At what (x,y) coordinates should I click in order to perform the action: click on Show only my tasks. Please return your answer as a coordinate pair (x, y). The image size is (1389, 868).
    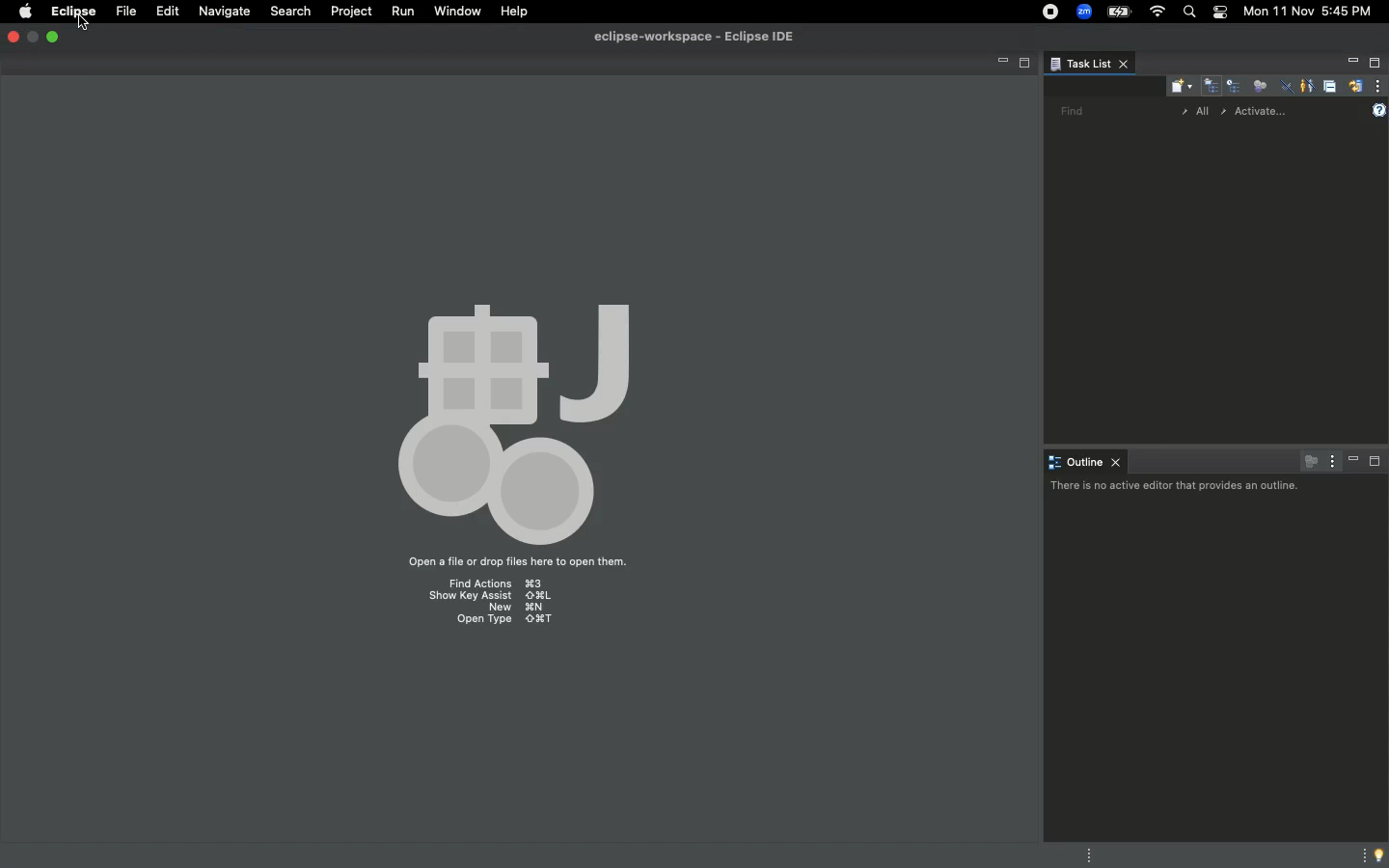
    Looking at the image, I should click on (1307, 86).